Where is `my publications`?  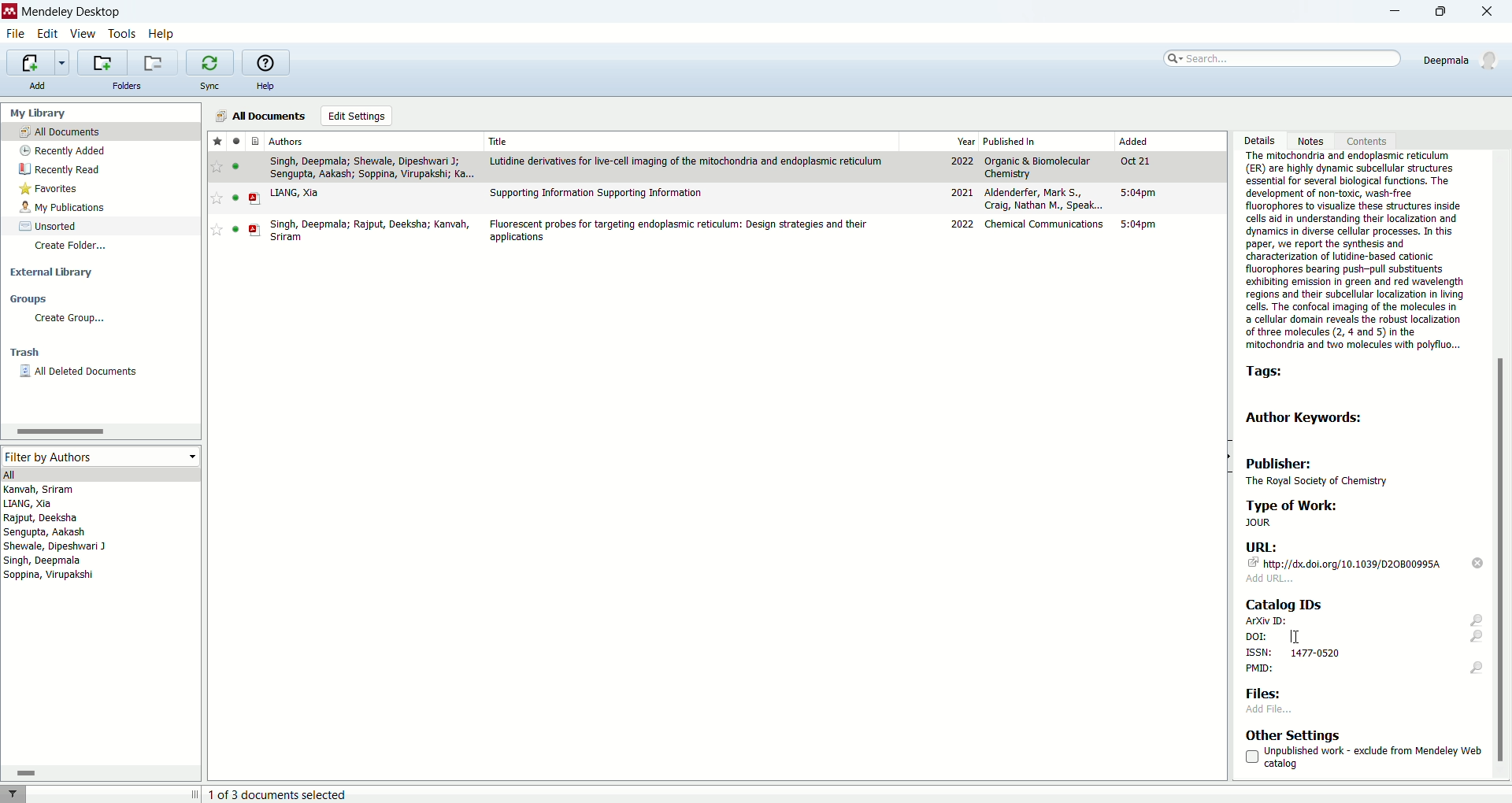
my publications is located at coordinates (64, 208).